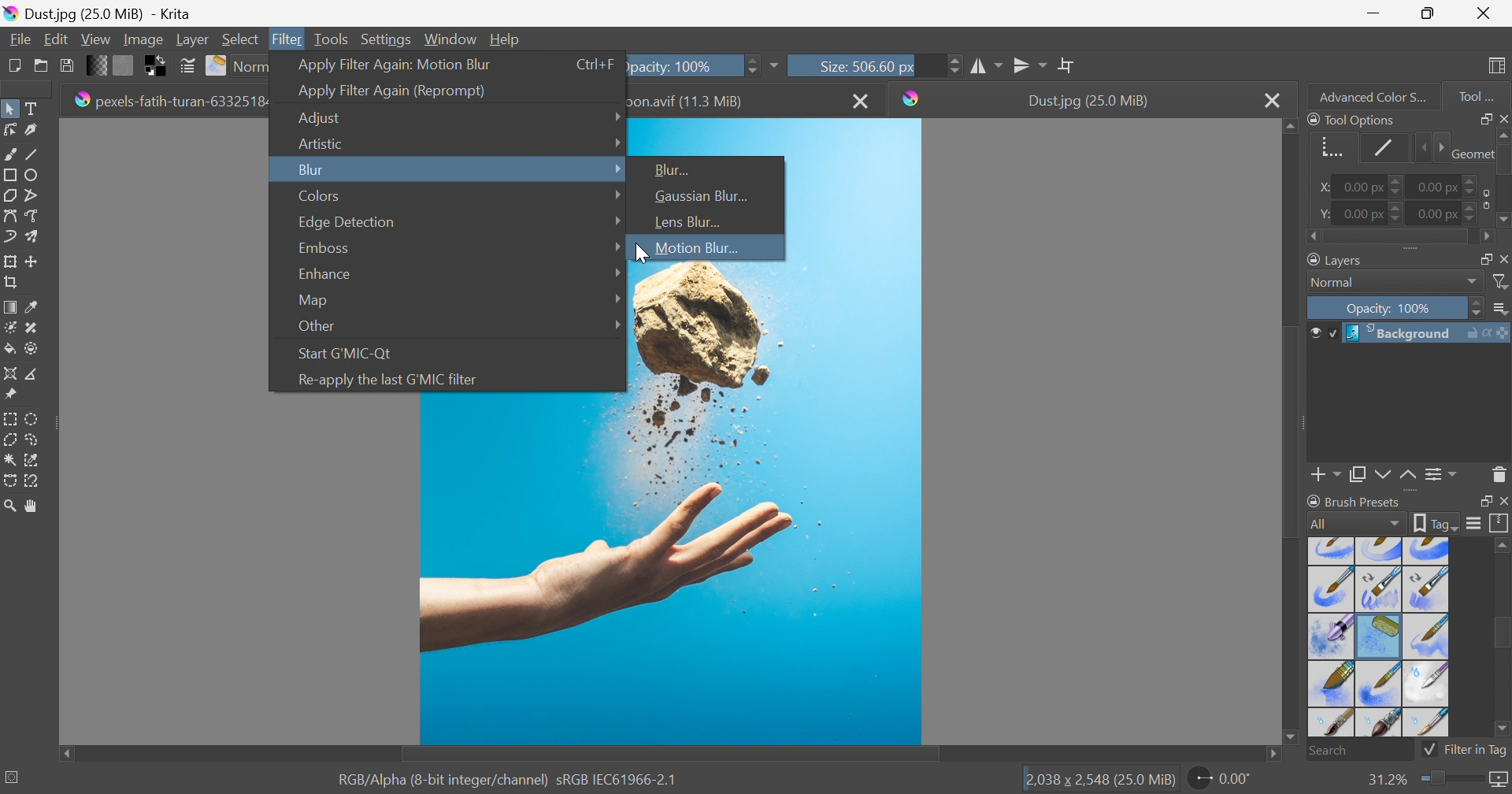  Describe the element at coordinates (1376, 636) in the screenshot. I see `Types of brush` at that location.